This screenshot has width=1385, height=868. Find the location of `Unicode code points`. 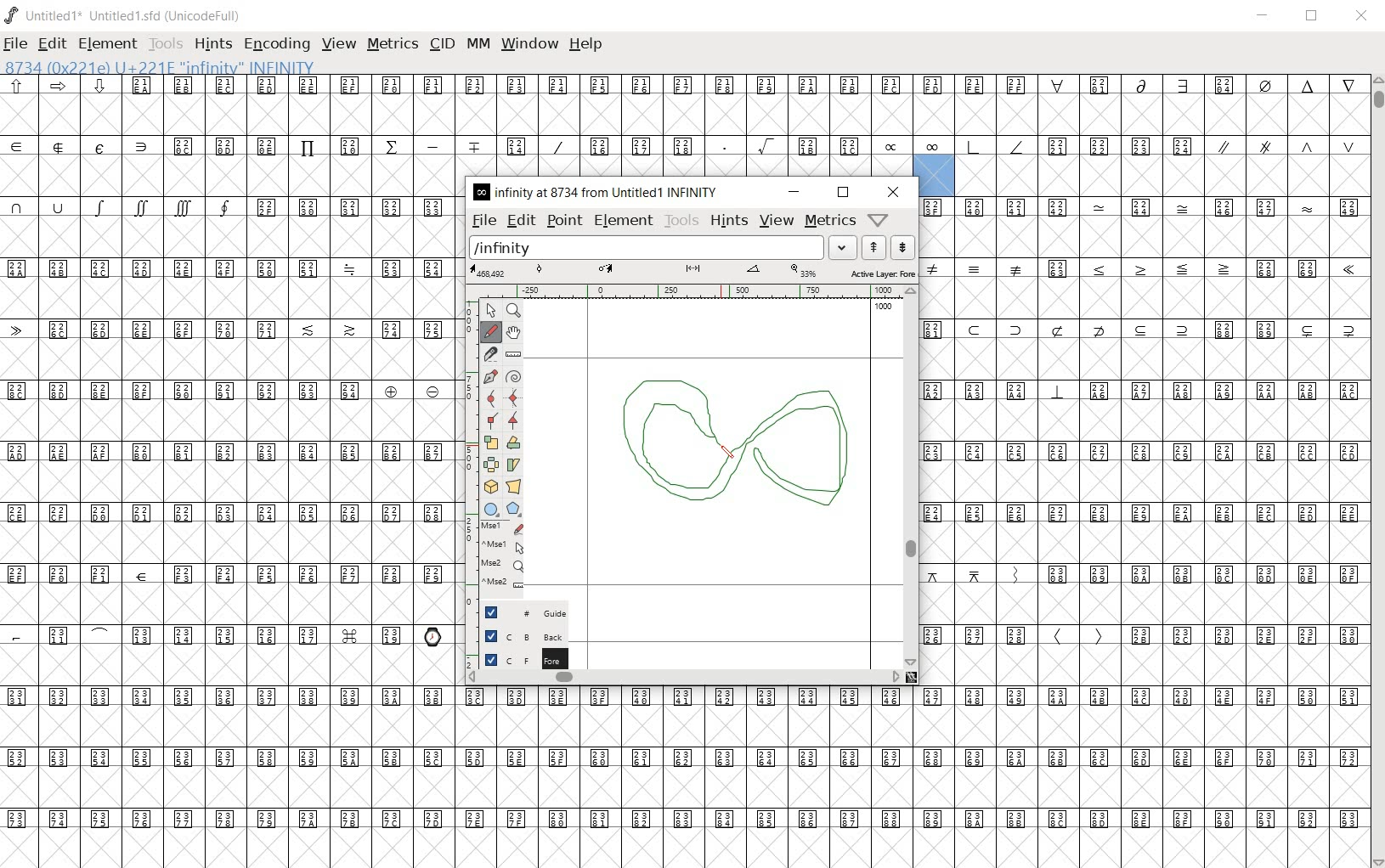

Unicode code points is located at coordinates (350, 206).